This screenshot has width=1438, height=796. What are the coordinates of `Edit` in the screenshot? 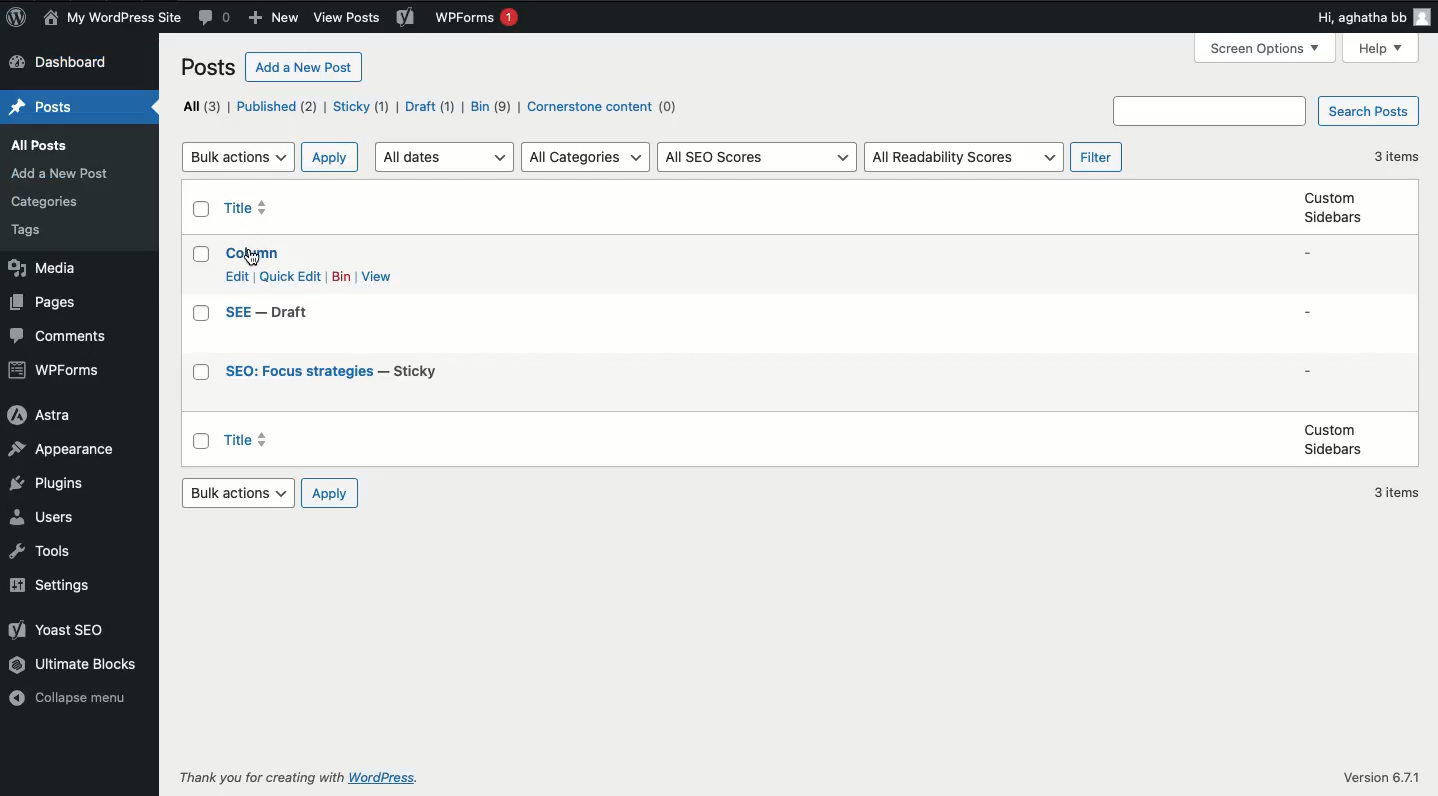 It's located at (238, 276).